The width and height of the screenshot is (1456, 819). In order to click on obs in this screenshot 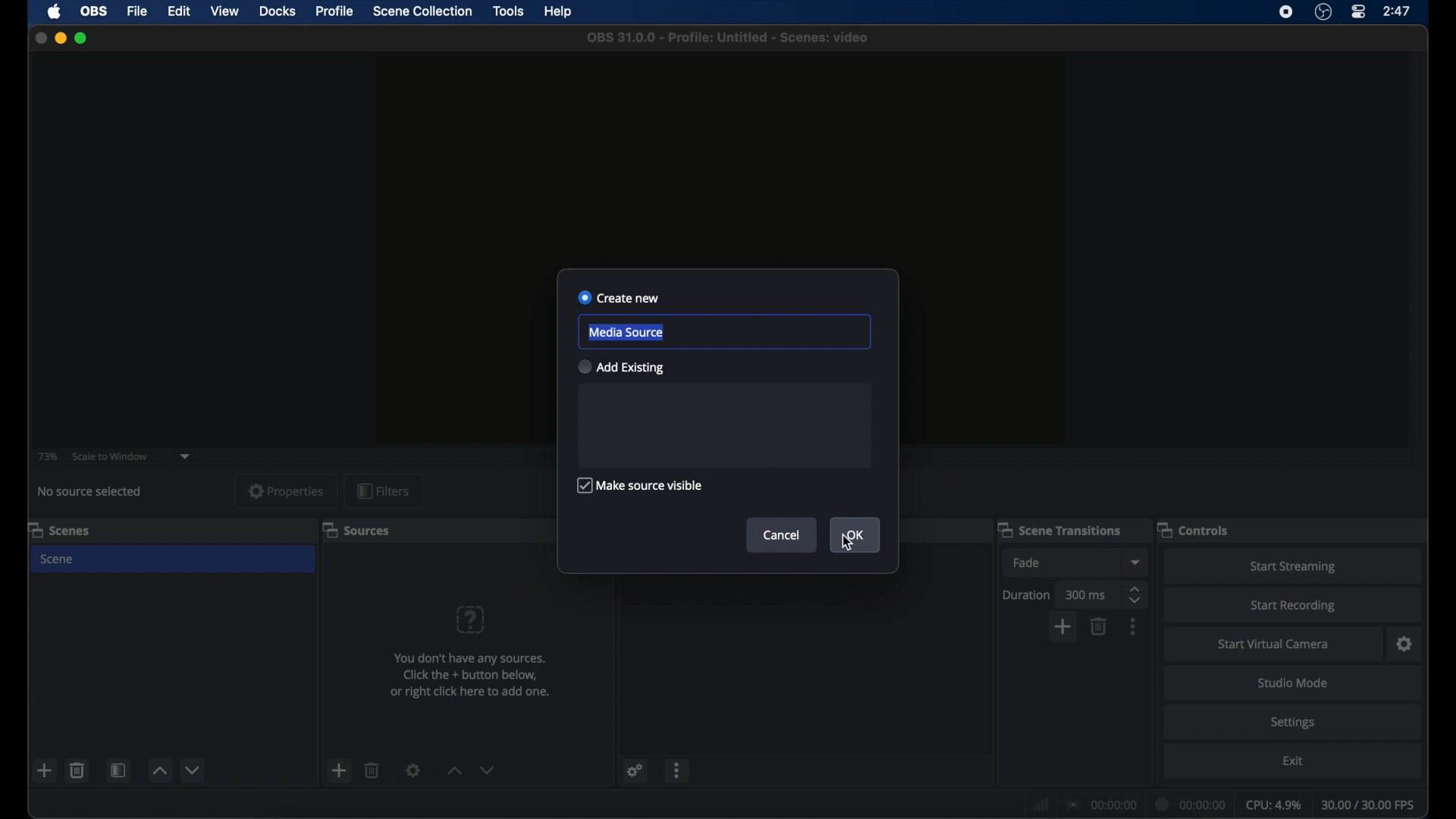, I will do `click(94, 11)`.